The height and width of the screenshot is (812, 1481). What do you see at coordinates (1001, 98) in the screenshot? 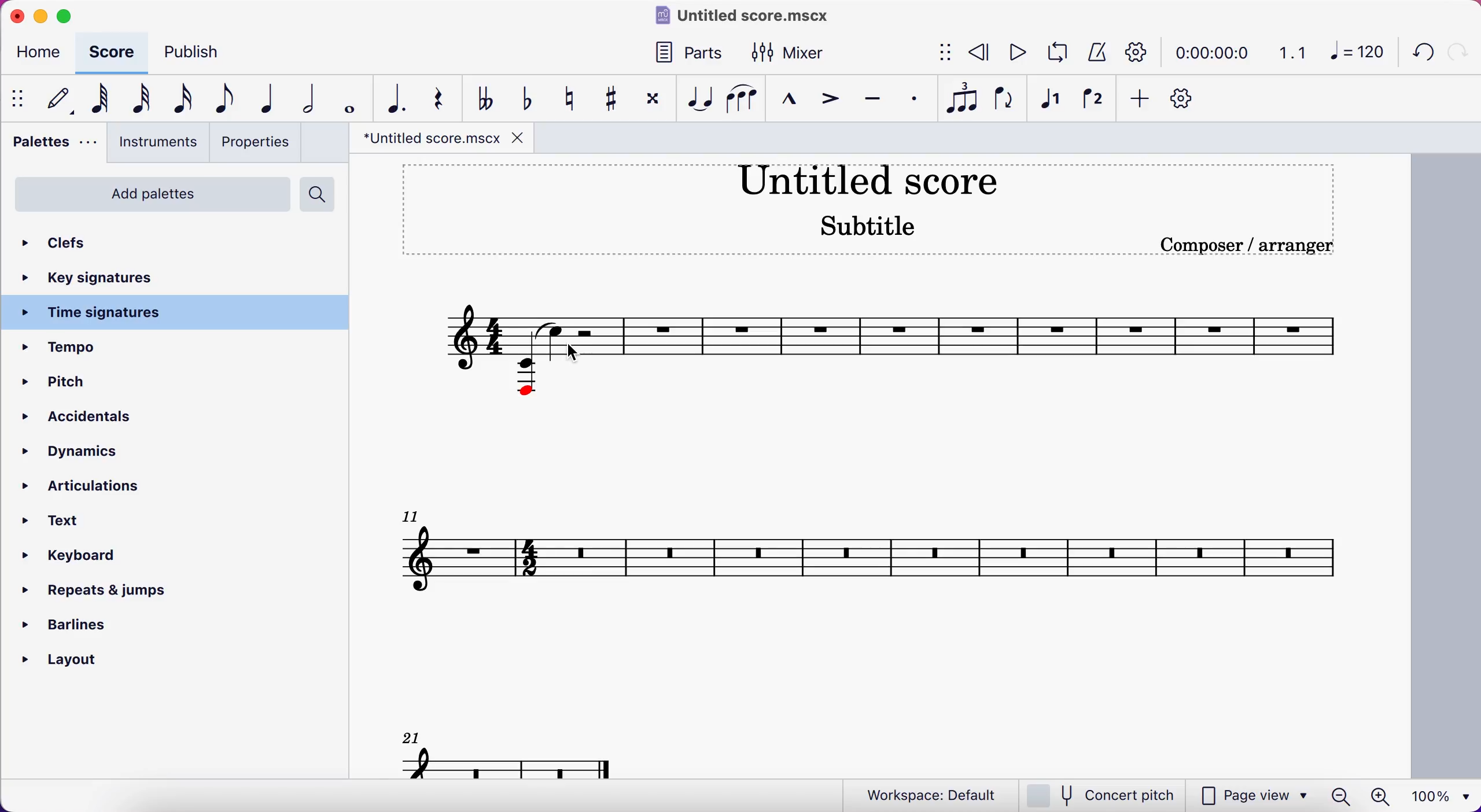
I see `flip direction` at bounding box center [1001, 98].